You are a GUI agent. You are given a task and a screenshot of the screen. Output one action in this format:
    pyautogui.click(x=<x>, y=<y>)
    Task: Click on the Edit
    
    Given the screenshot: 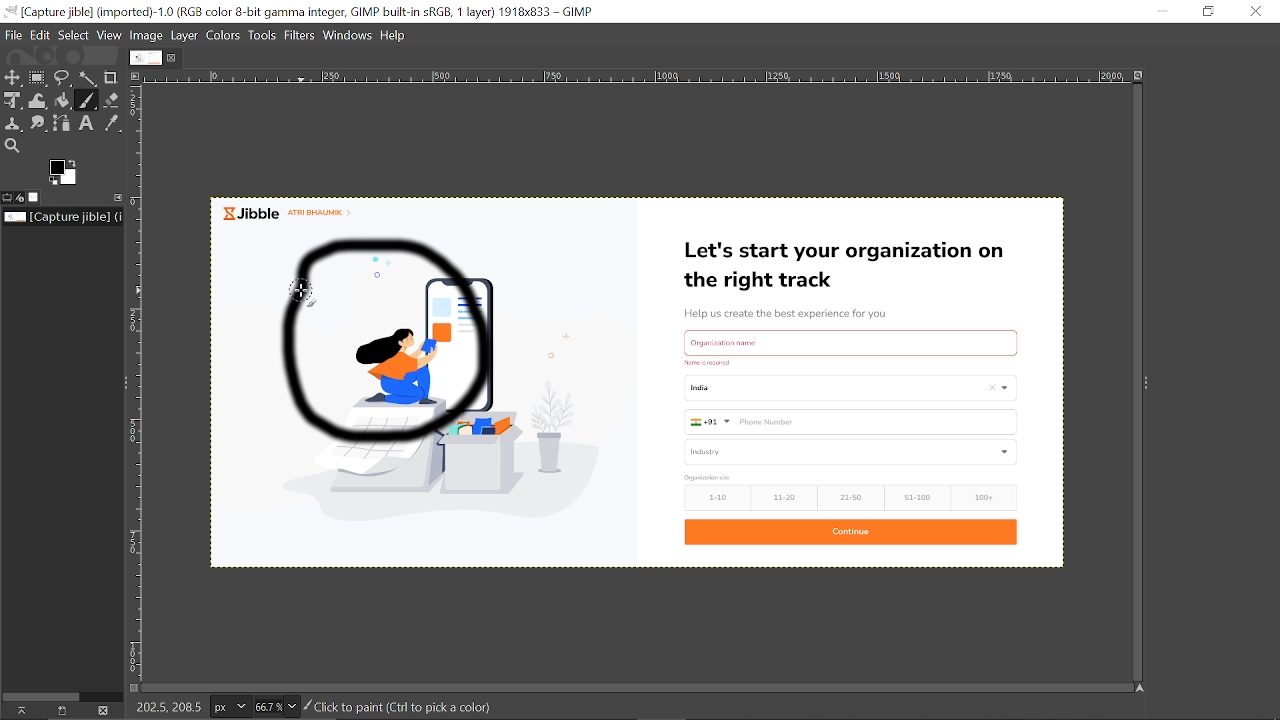 What is the action you would take?
    pyautogui.click(x=42, y=36)
    